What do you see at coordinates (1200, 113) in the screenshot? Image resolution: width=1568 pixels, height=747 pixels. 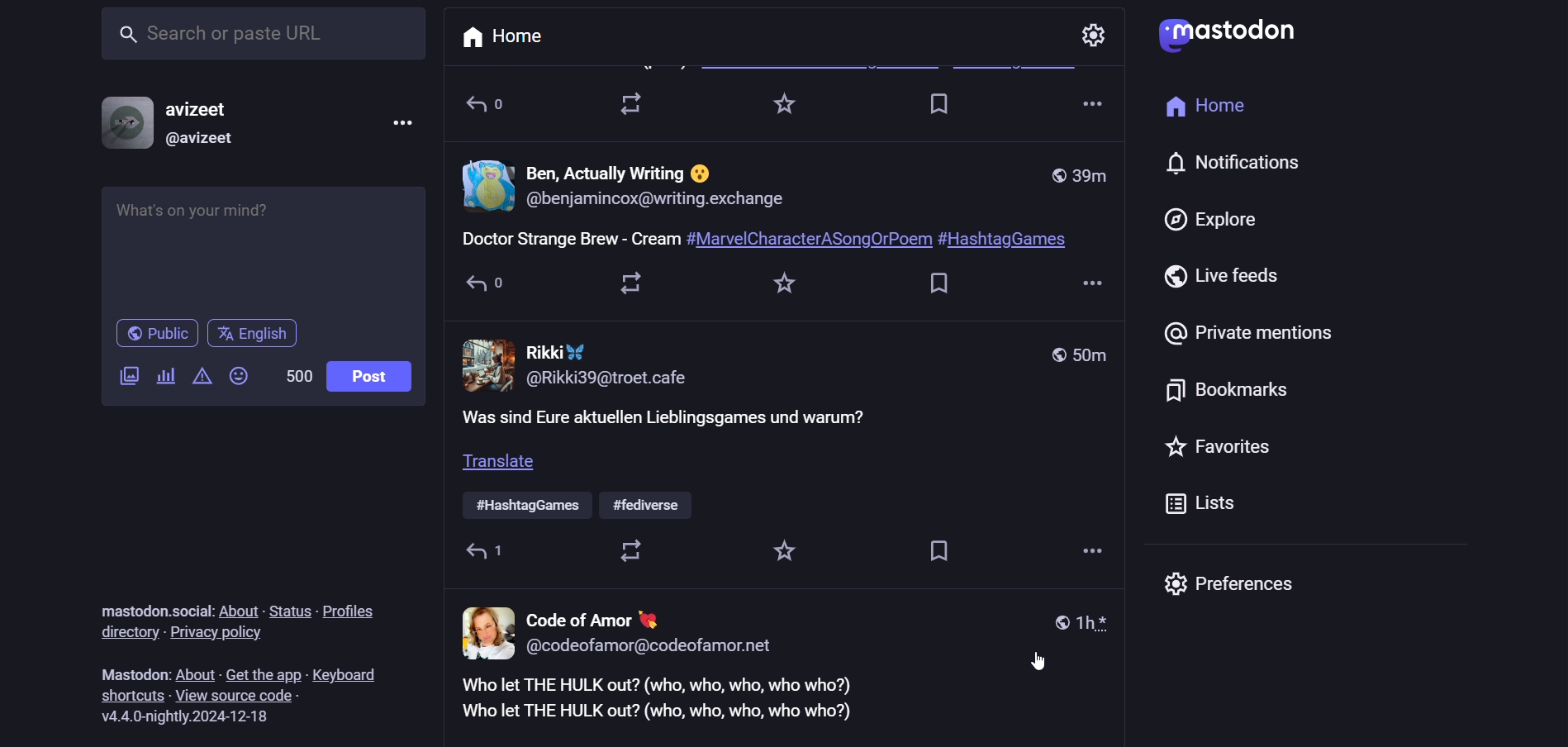 I see `home` at bounding box center [1200, 113].